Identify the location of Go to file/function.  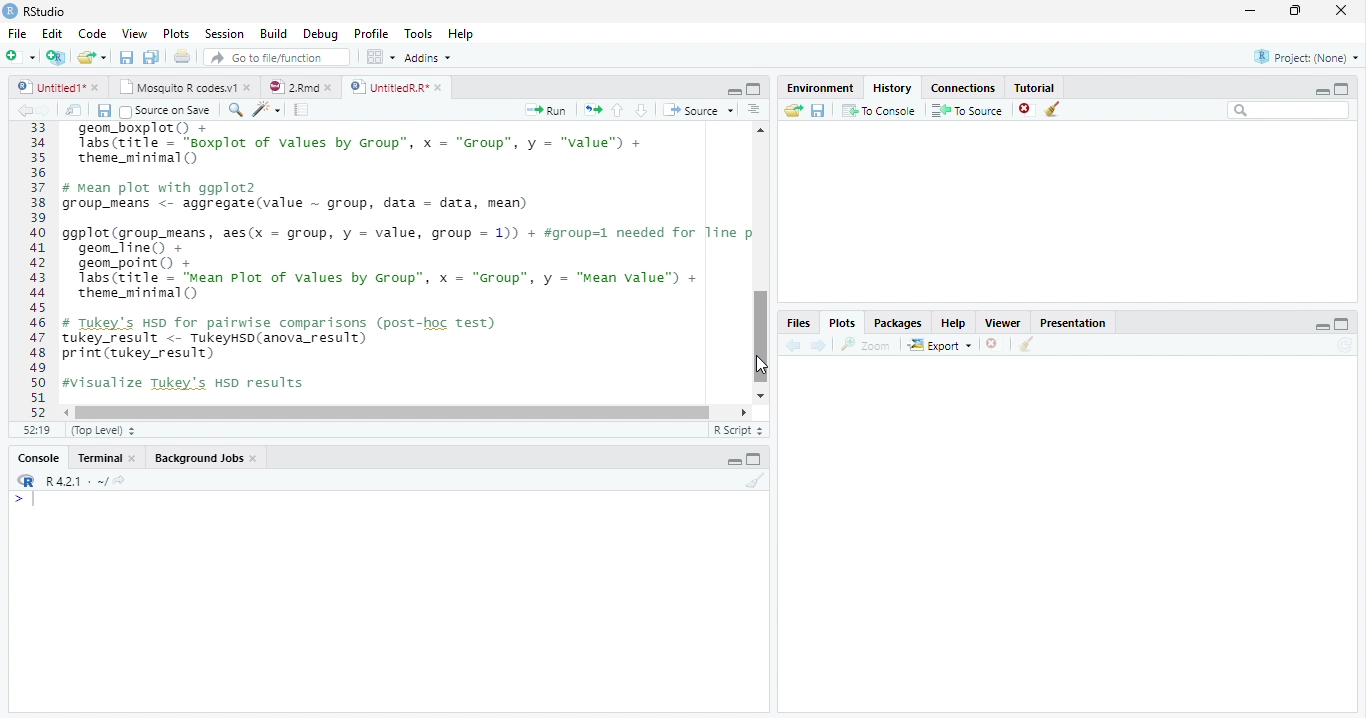
(277, 58).